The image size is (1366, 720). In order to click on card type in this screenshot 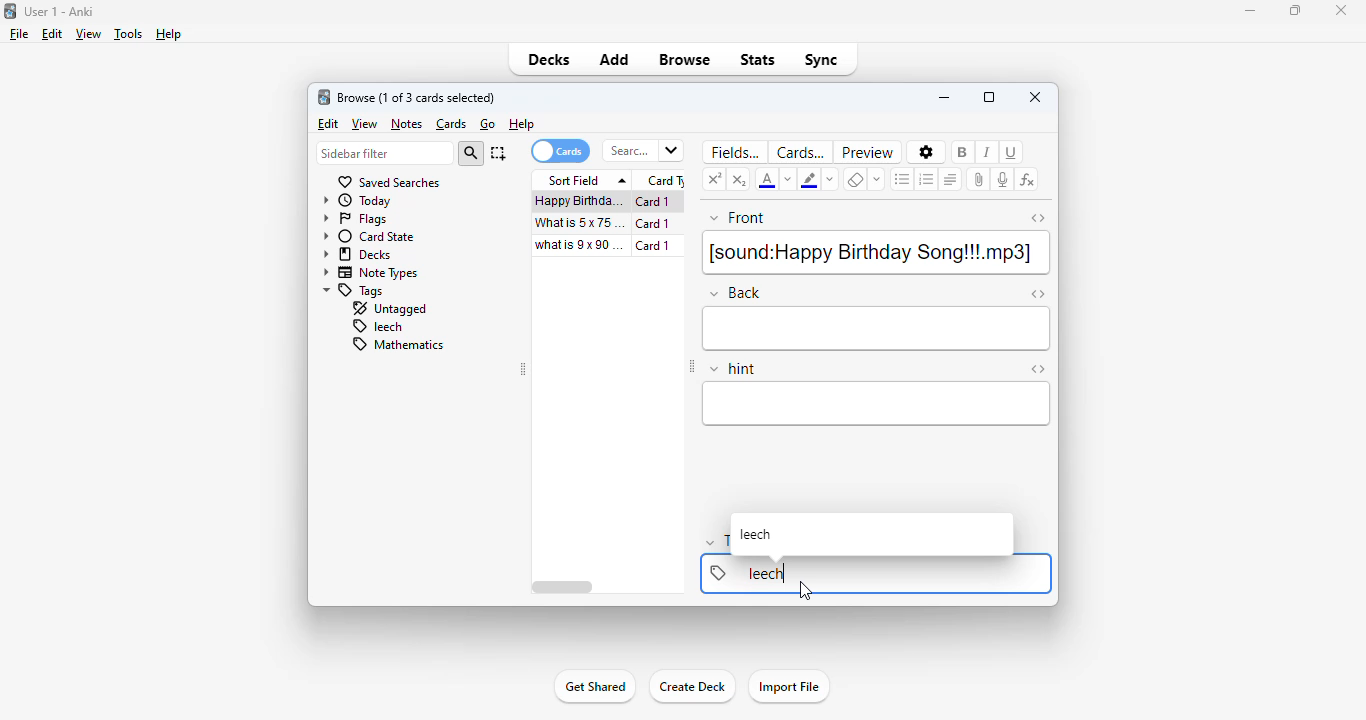, I will do `click(663, 181)`.